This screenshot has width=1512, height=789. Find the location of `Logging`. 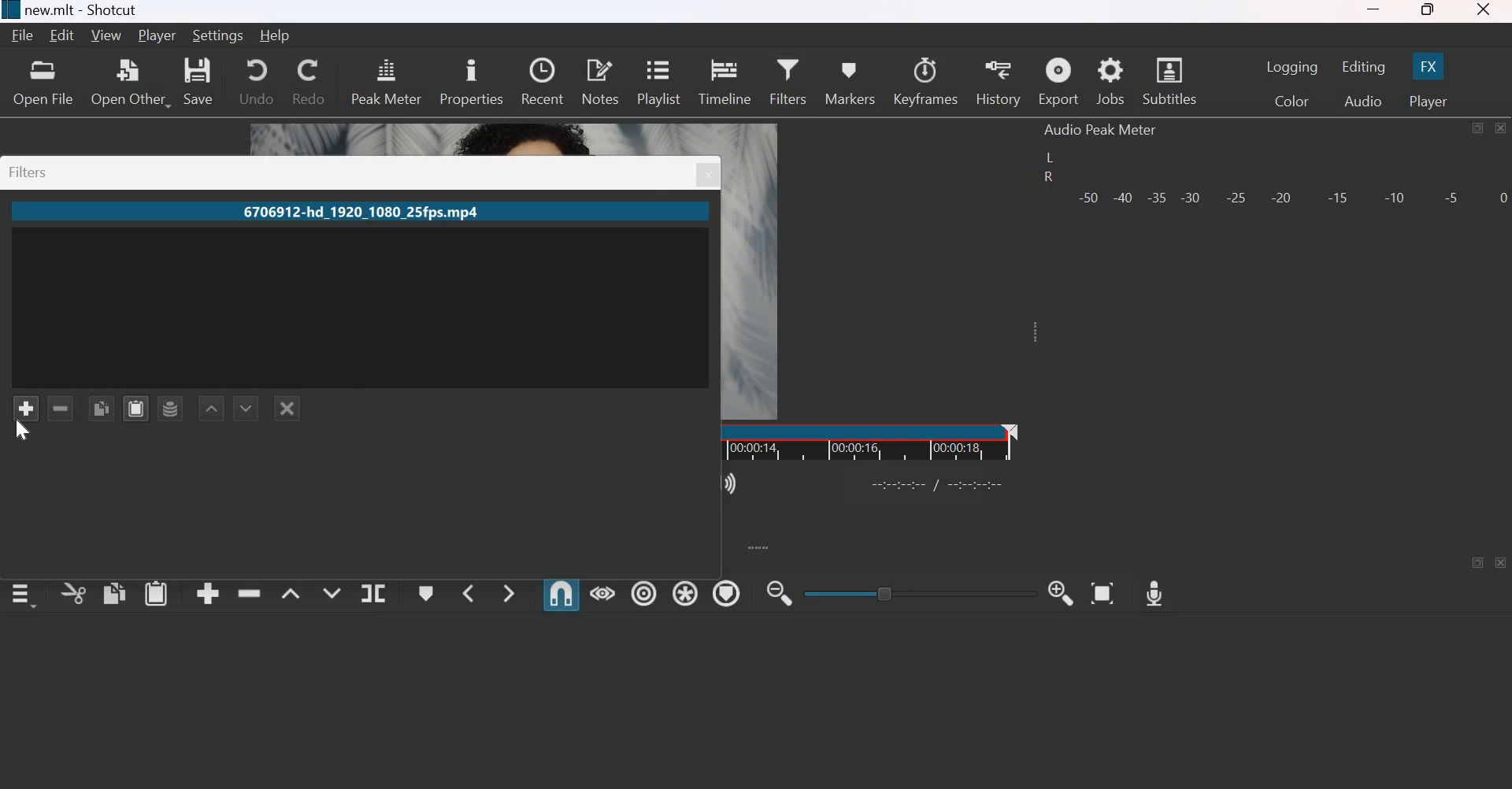

Logging is located at coordinates (1293, 67).